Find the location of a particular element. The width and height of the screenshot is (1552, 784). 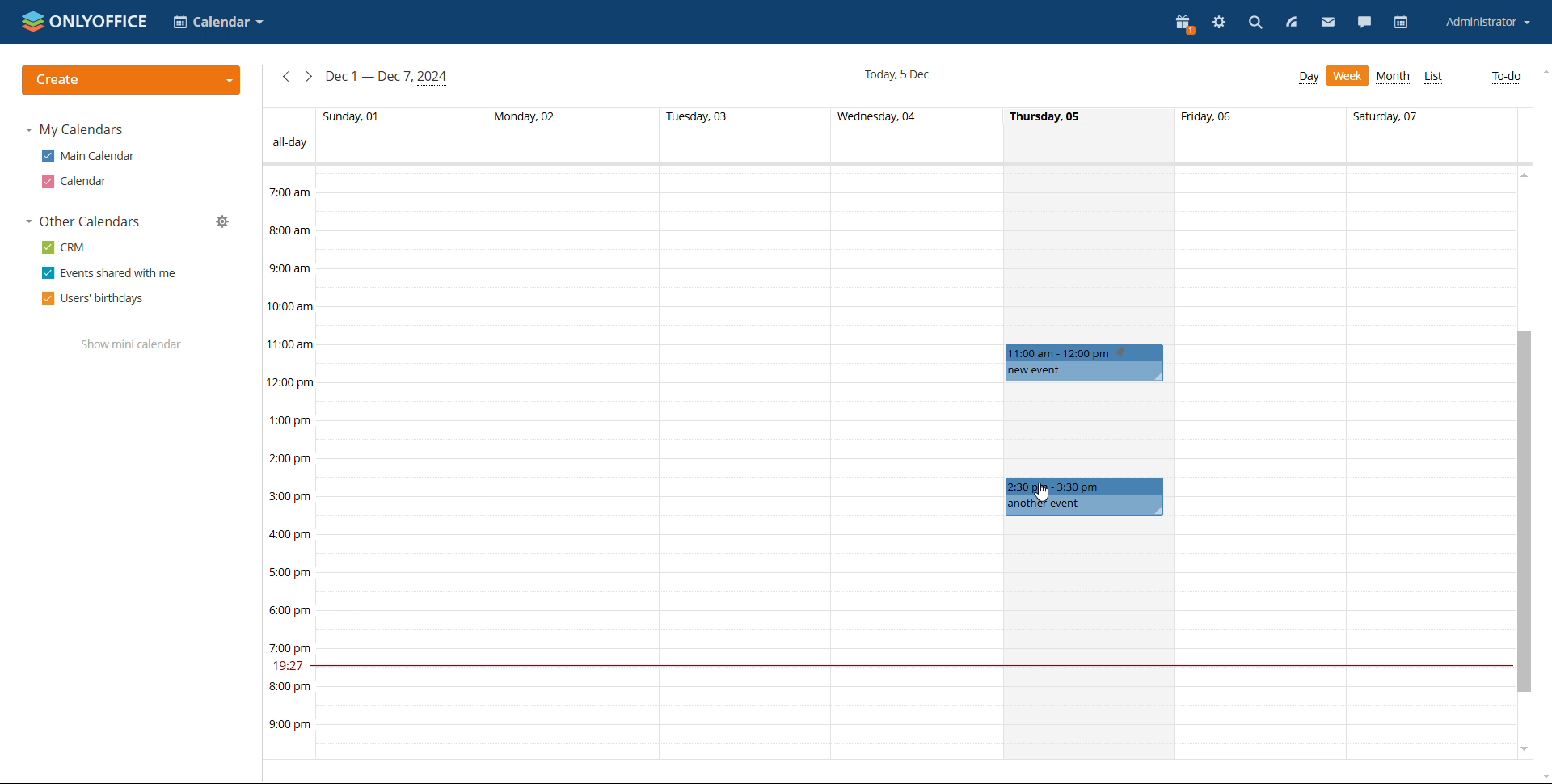

other calendars is located at coordinates (82, 222).